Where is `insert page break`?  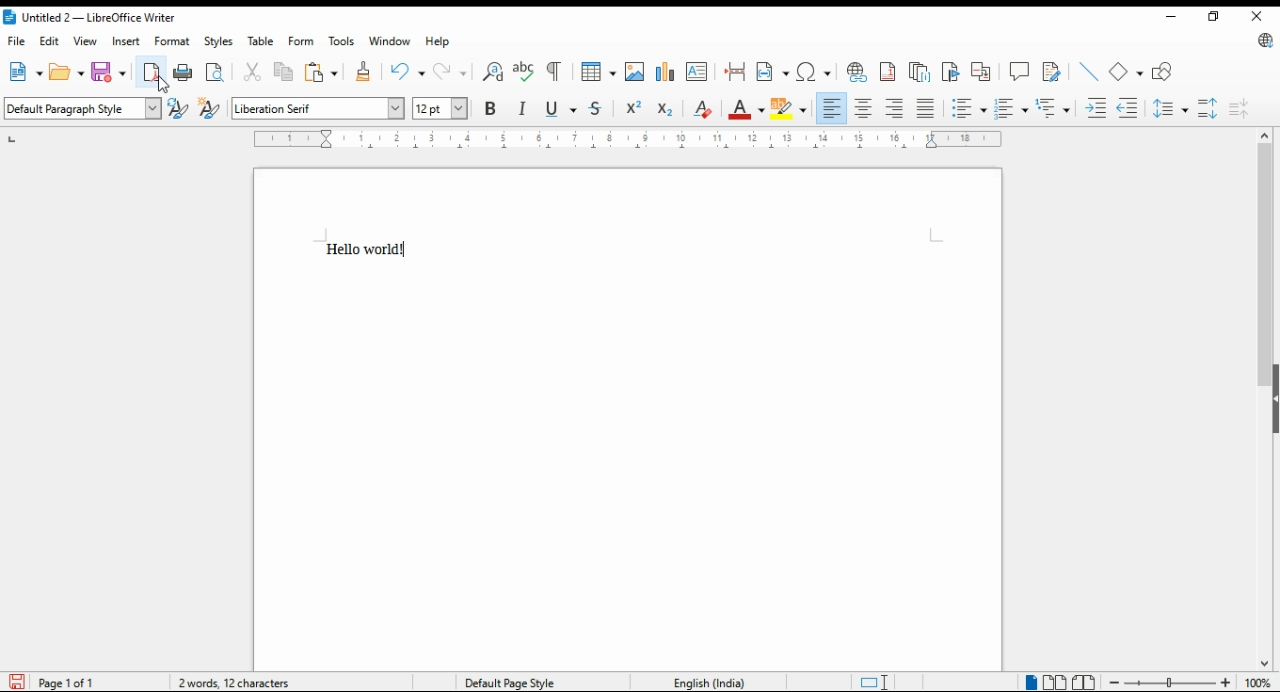 insert page break is located at coordinates (735, 74).